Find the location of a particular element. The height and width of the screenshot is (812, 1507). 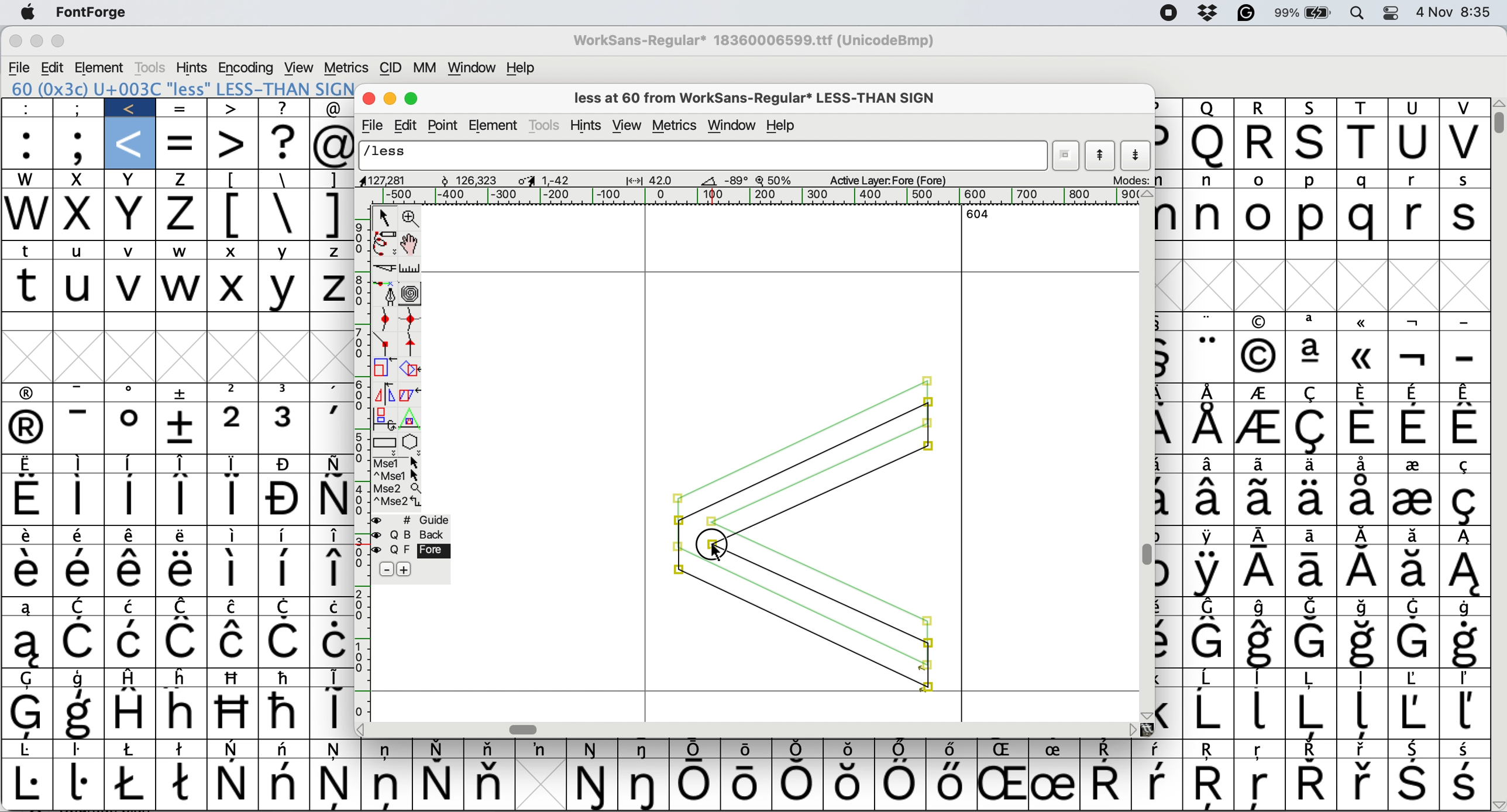

2 is located at coordinates (234, 392).